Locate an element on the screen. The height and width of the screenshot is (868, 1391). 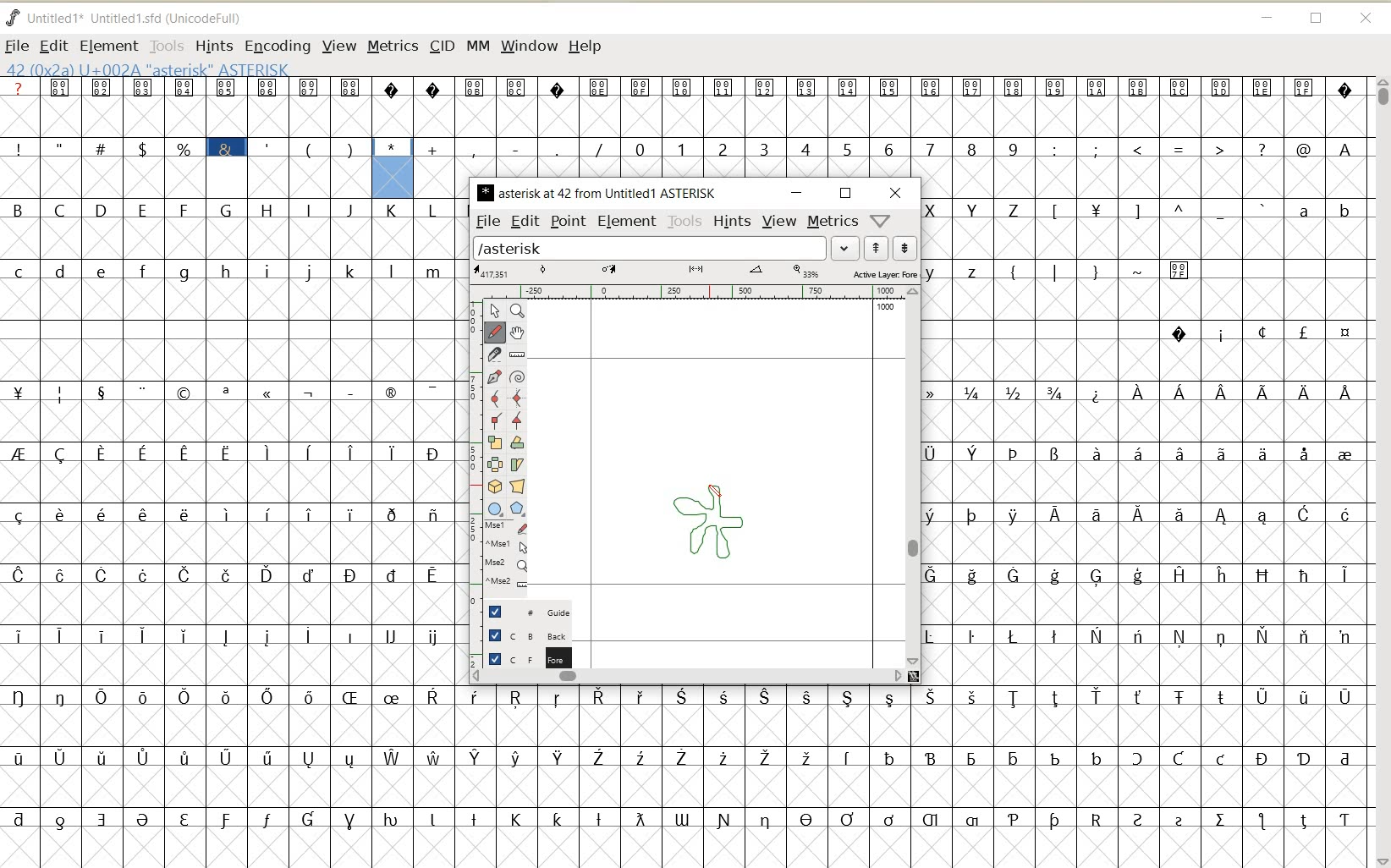
help/window is located at coordinates (882, 222).